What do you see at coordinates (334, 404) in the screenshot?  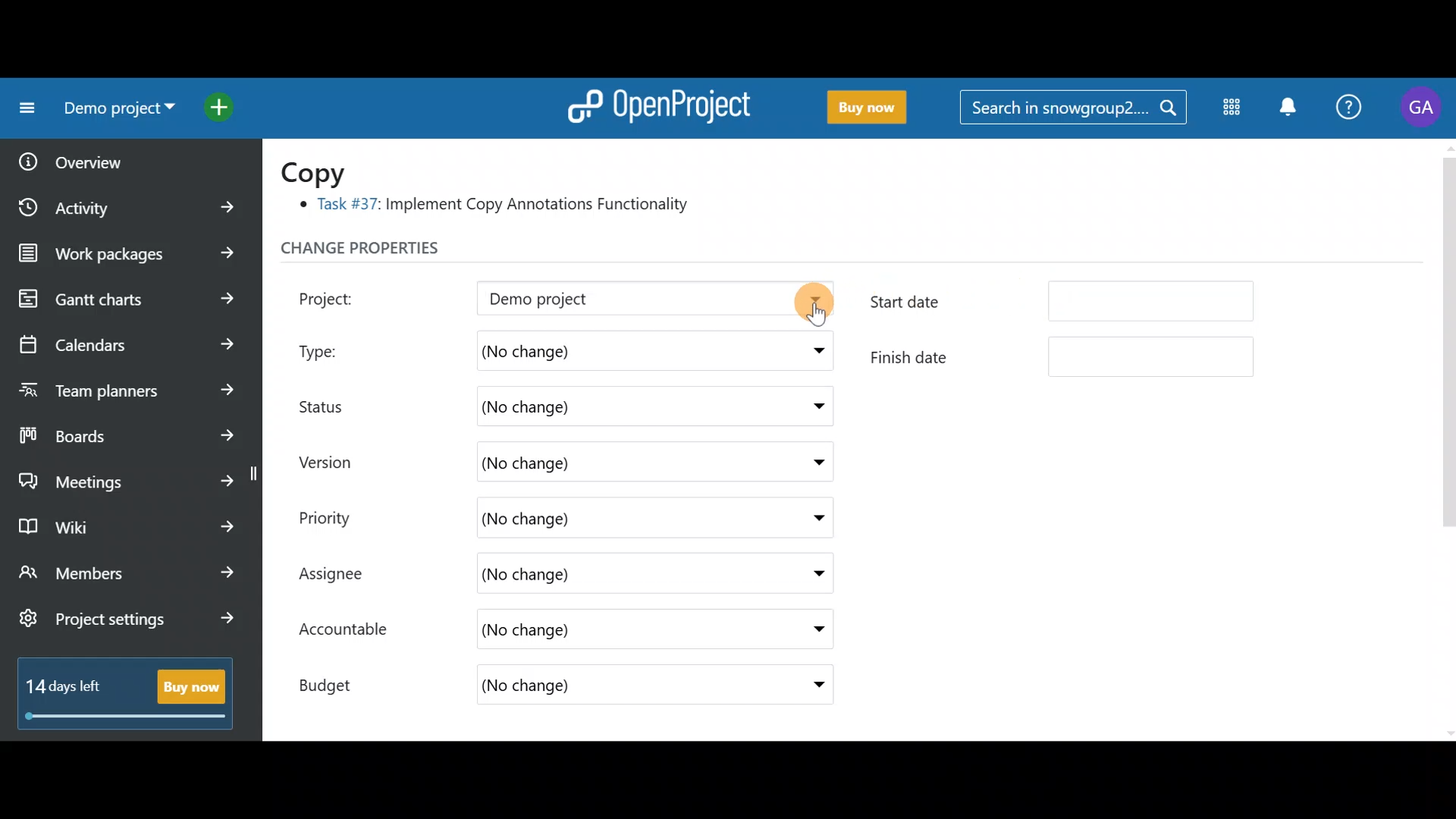 I see `Status` at bounding box center [334, 404].